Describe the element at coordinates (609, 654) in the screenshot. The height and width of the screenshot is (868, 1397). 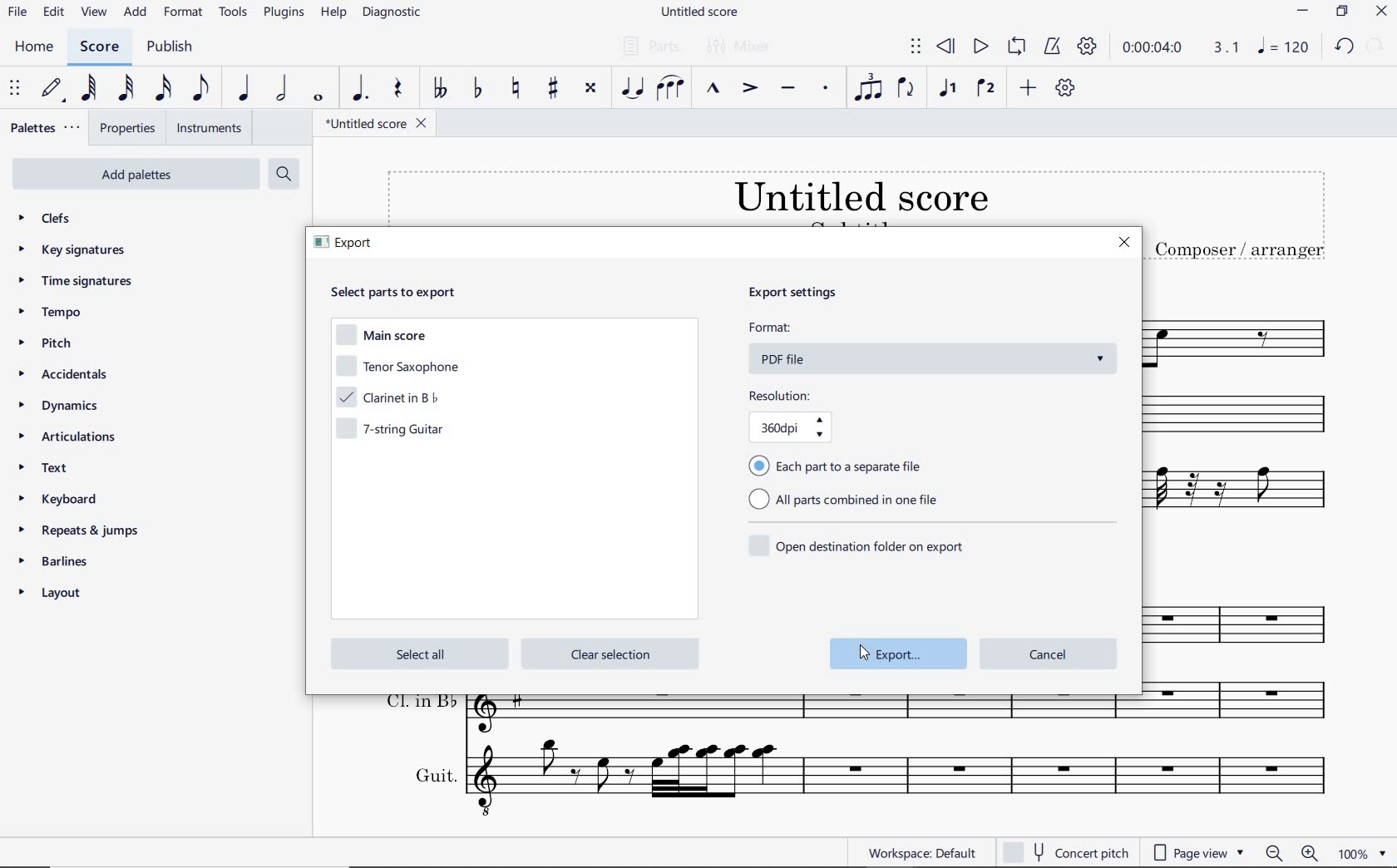
I see `clear selection` at that location.